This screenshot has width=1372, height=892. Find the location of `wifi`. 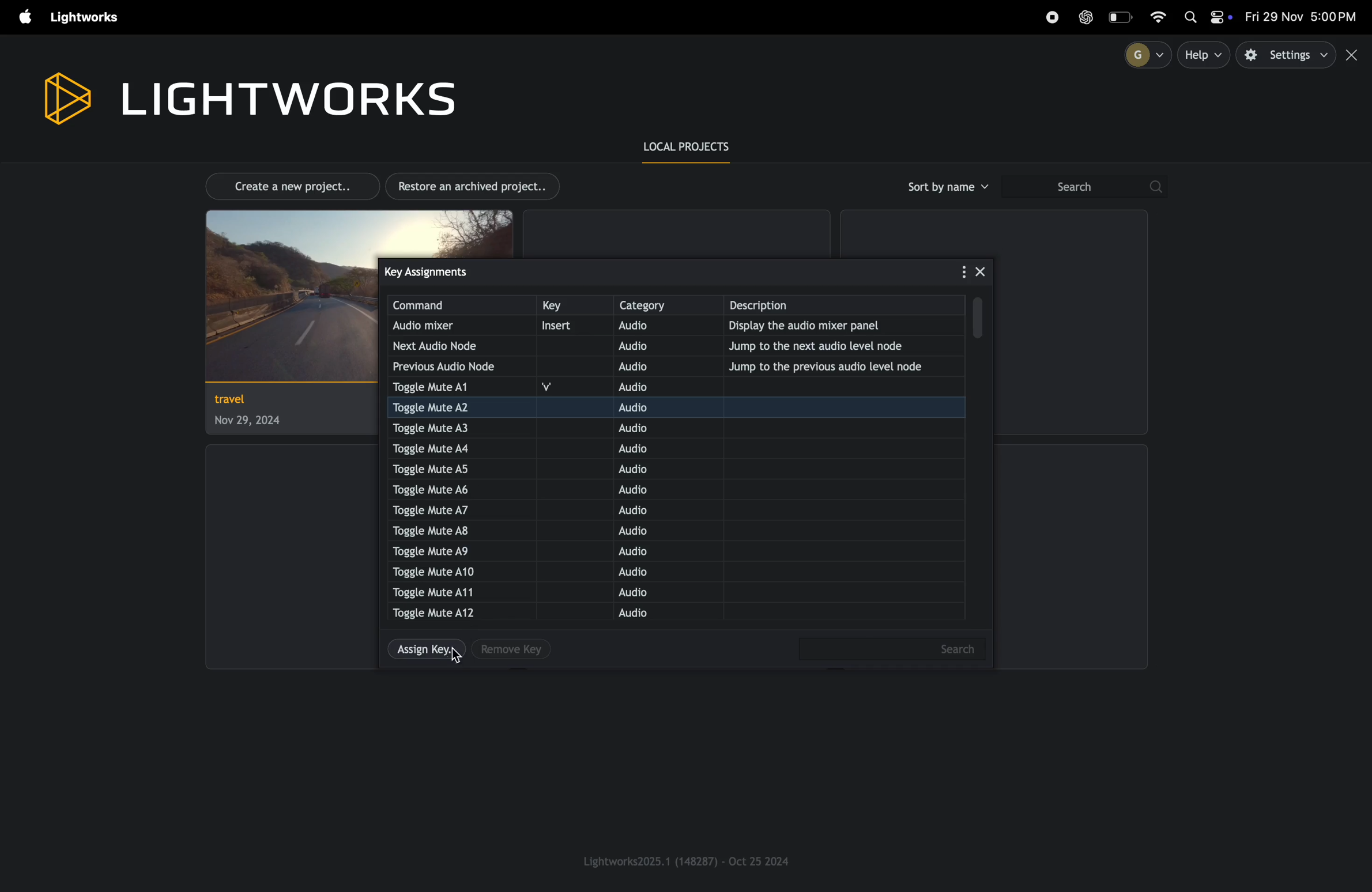

wifi is located at coordinates (1164, 16).